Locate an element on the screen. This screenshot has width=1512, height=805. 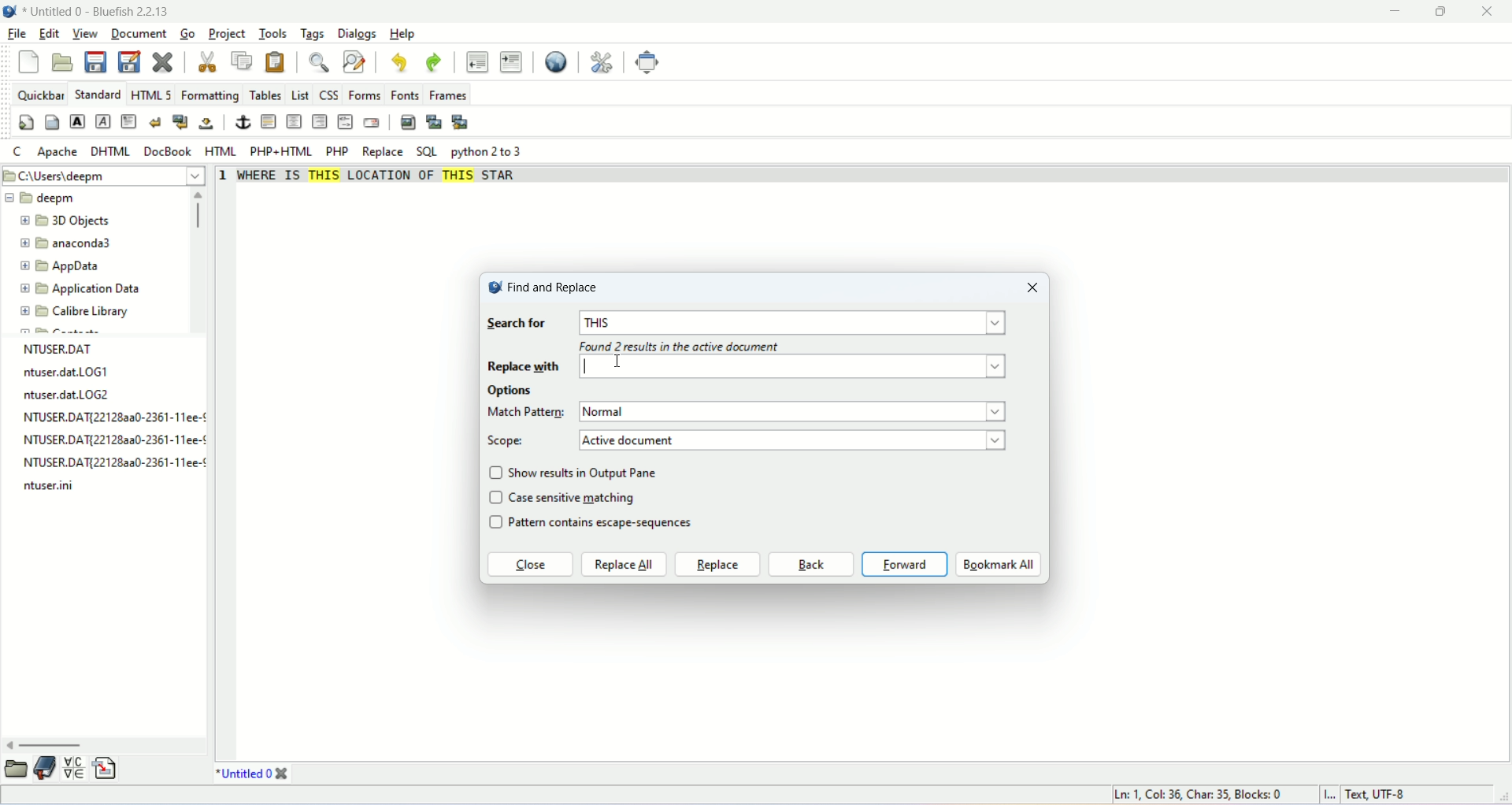
paste is located at coordinates (276, 62).